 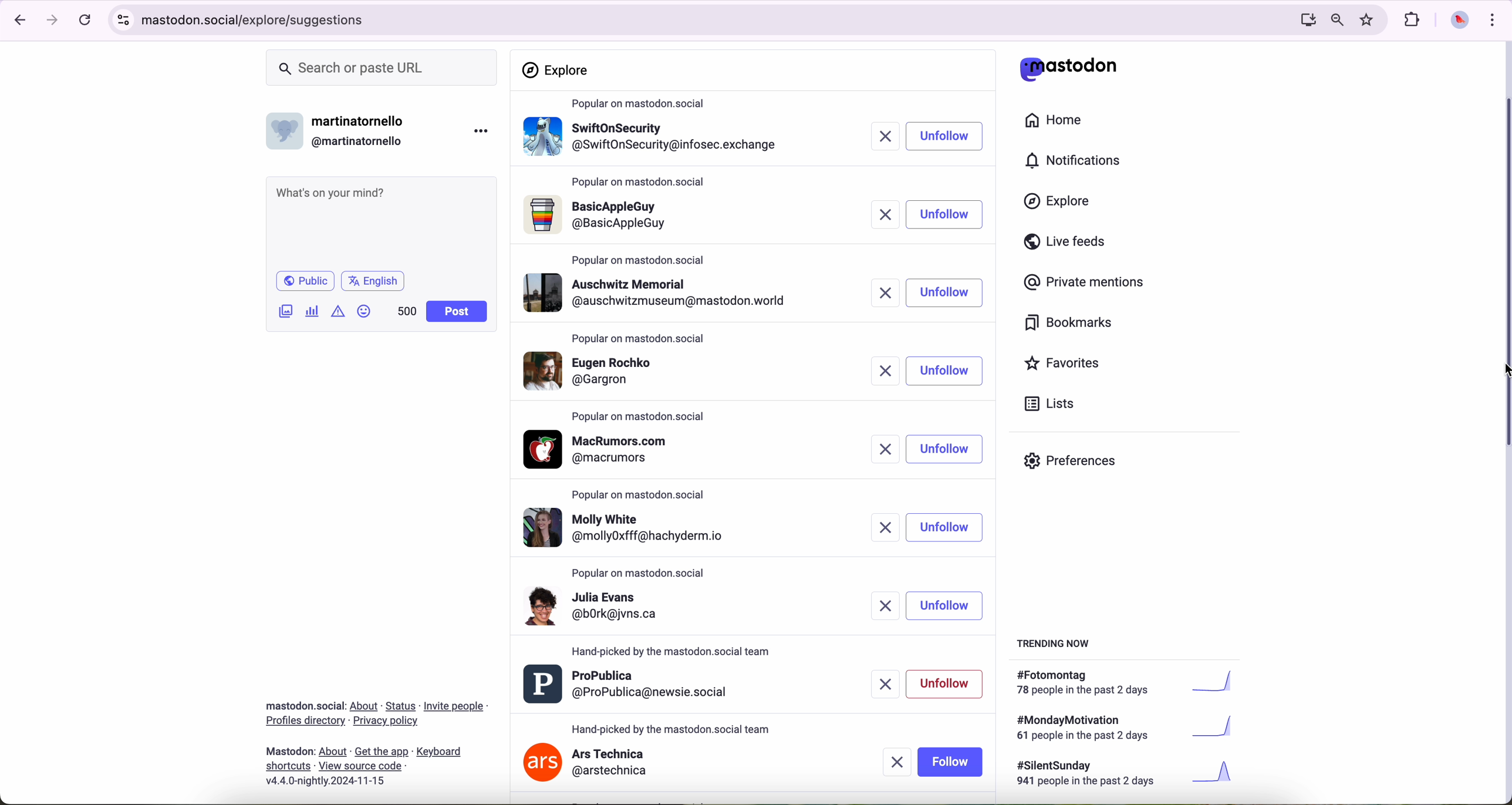 What do you see at coordinates (640, 339) in the screenshot?
I see `popular` at bounding box center [640, 339].